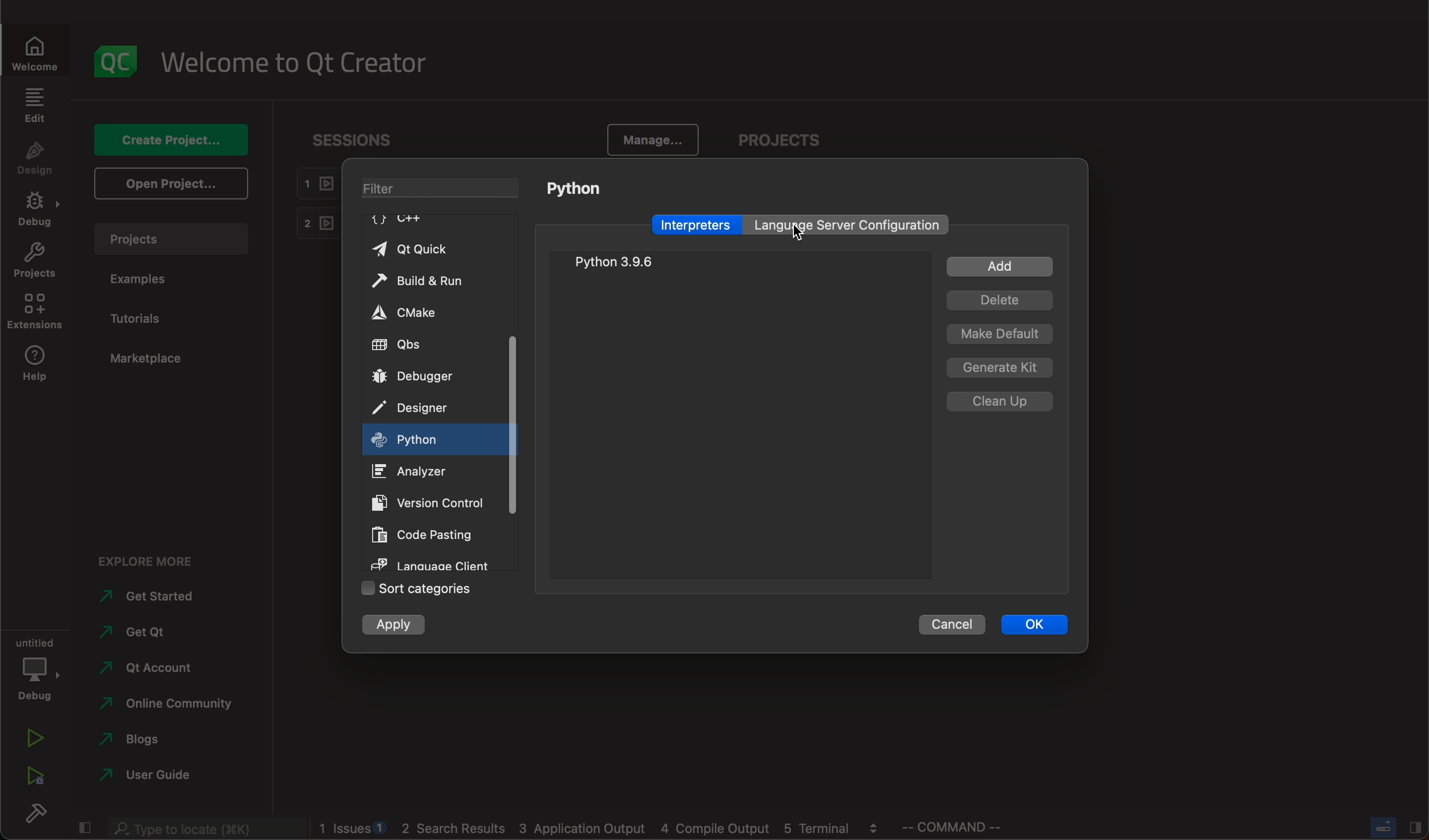  Describe the element at coordinates (424, 405) in the screenshot. I see `designer` at that location.